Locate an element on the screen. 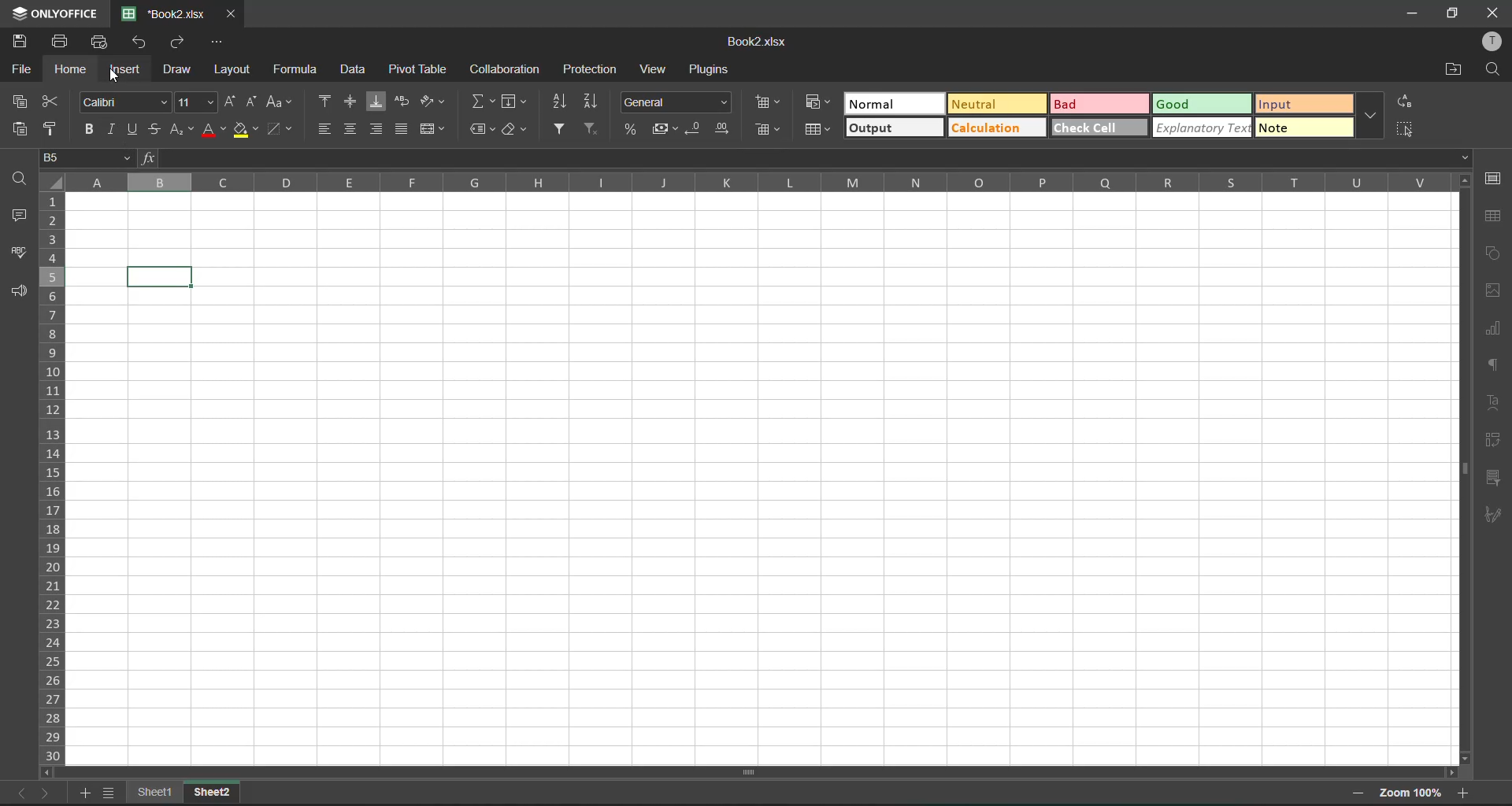 This screenshot has width=1512, height=806. comments is located at coordinates (20, 220).